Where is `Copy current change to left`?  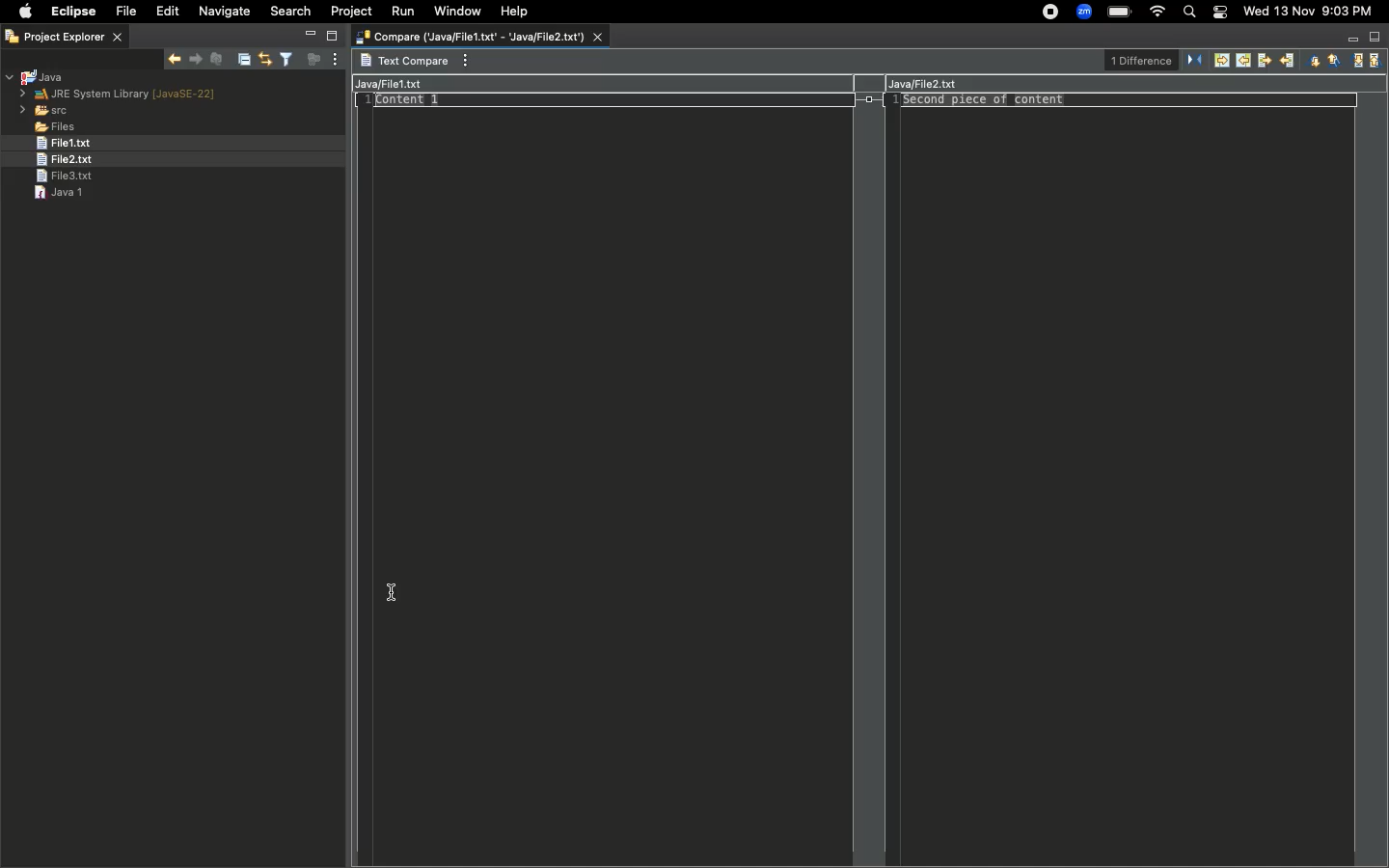
Copy current change to left is located at coordinates (1285, 61).